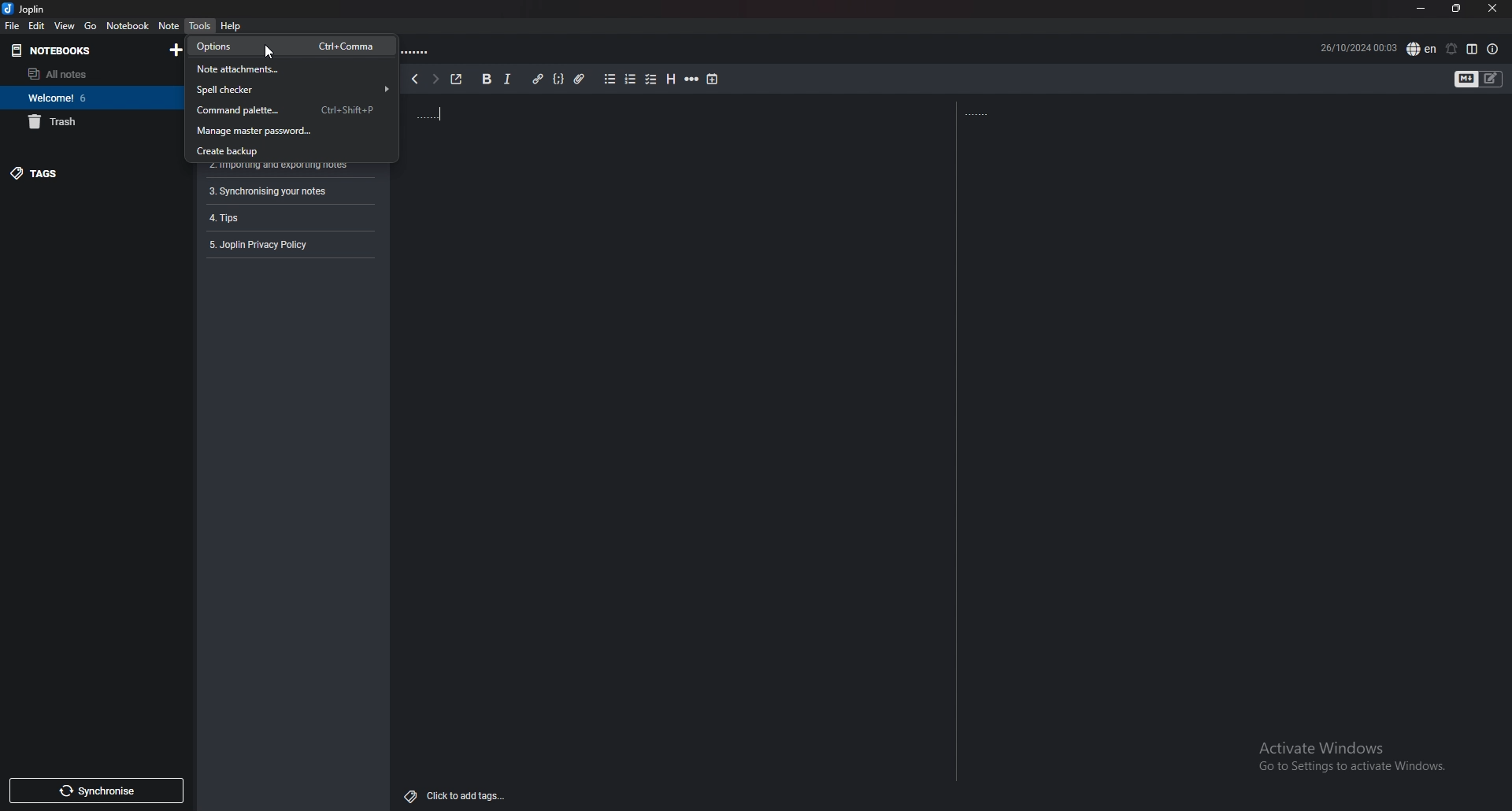 The height and width of the screenshot is (811, 1512). What do you see at coordinates (14, 26) in the screenshot?
I see `file` at bounding box center [14, 26].